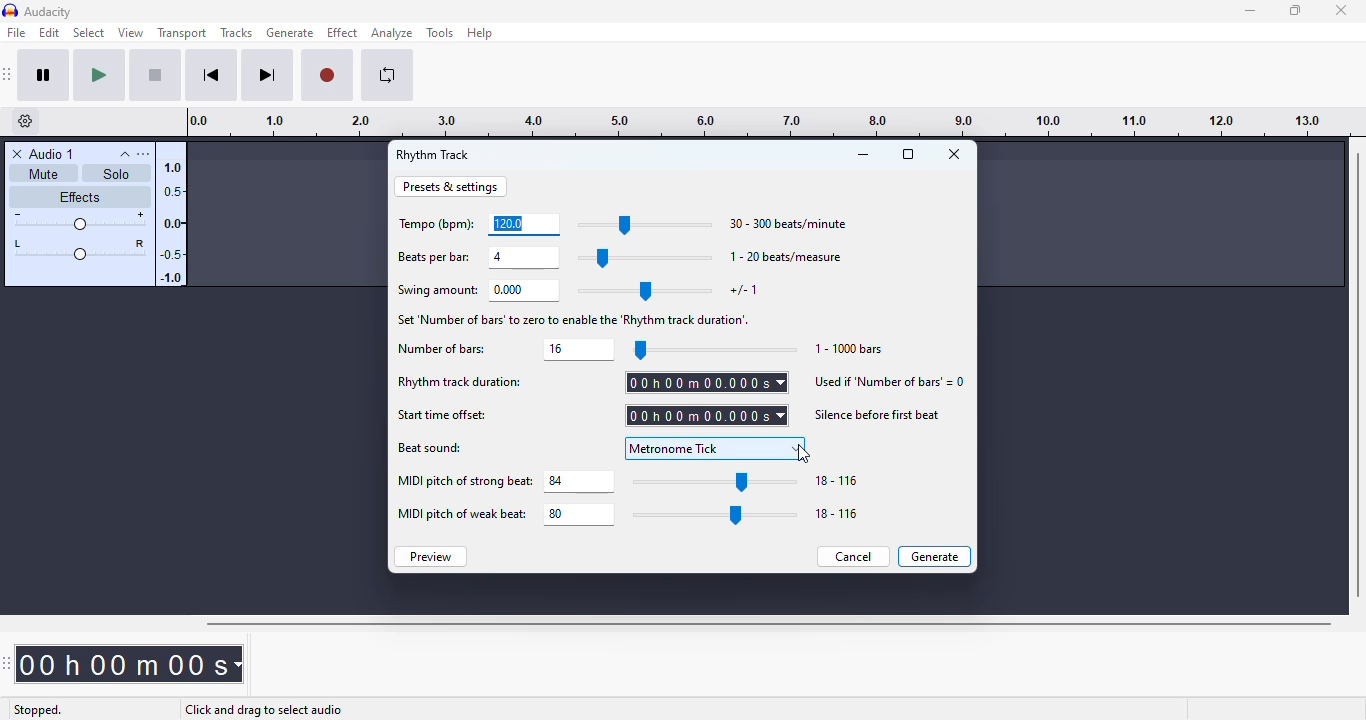 The width and height of the screenshot is (1366, 720). I want to click on maximize, so click(1295, 10).